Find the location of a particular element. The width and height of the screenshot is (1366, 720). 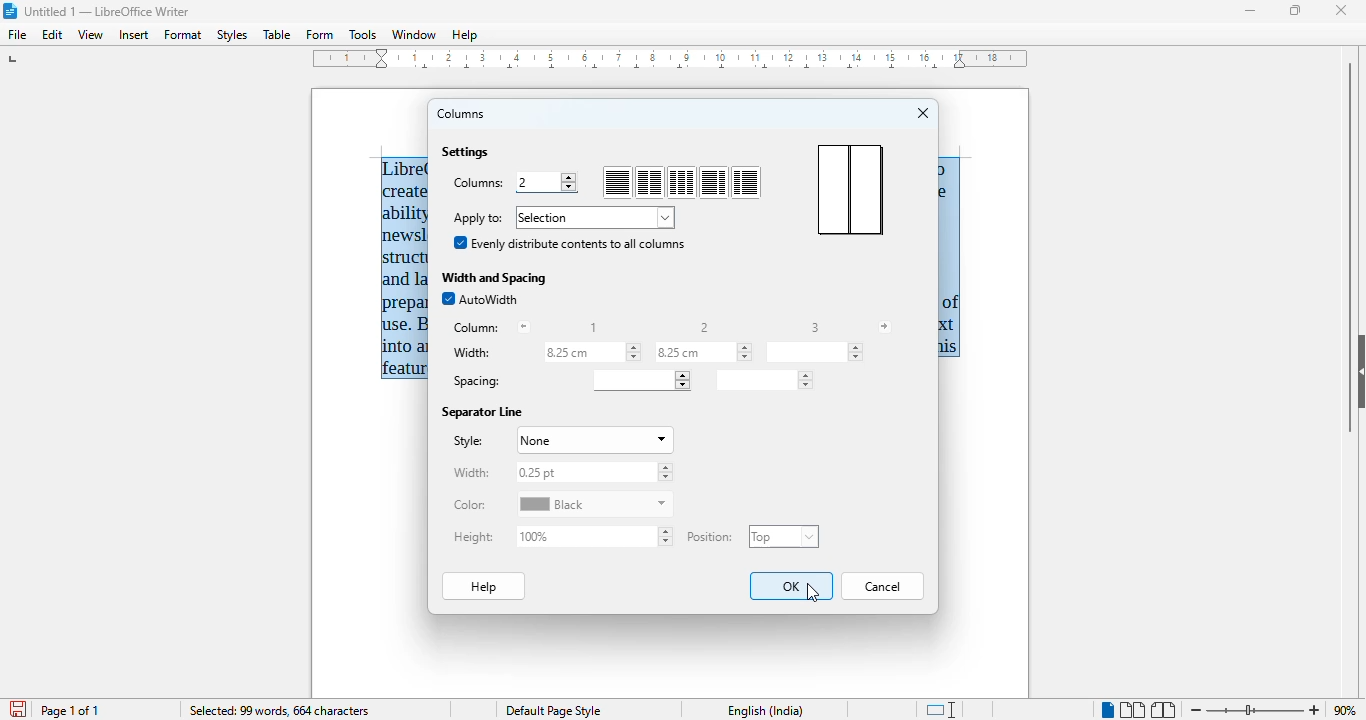

styles is located at coordinates (232, 35).